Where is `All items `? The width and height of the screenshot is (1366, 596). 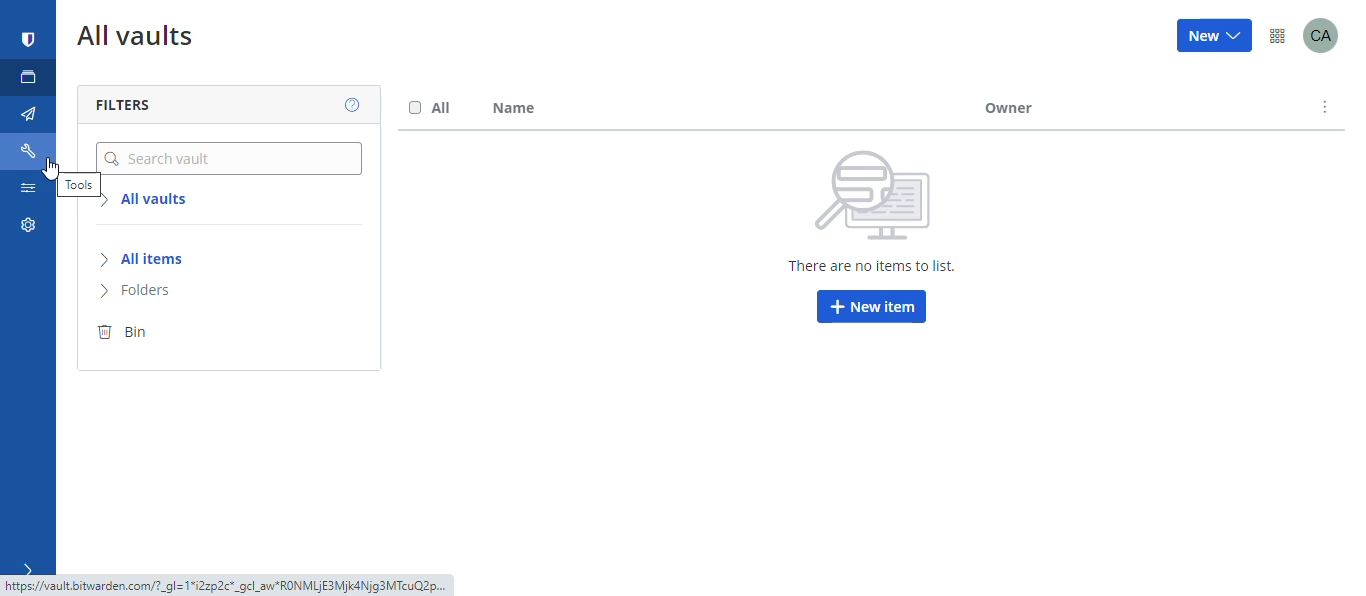 All items  is located at coordinates (161, 260).